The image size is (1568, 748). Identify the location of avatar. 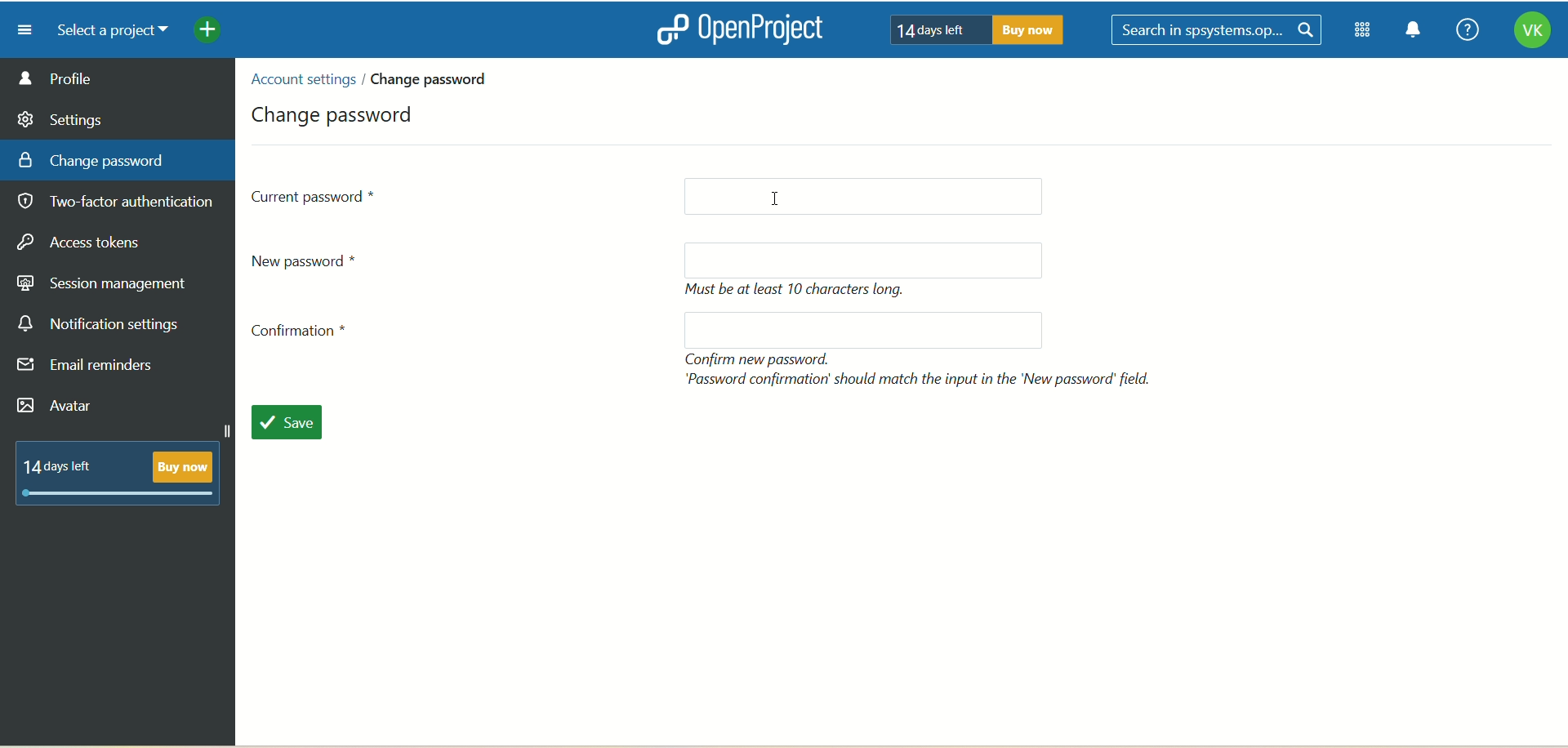
(58, 407).